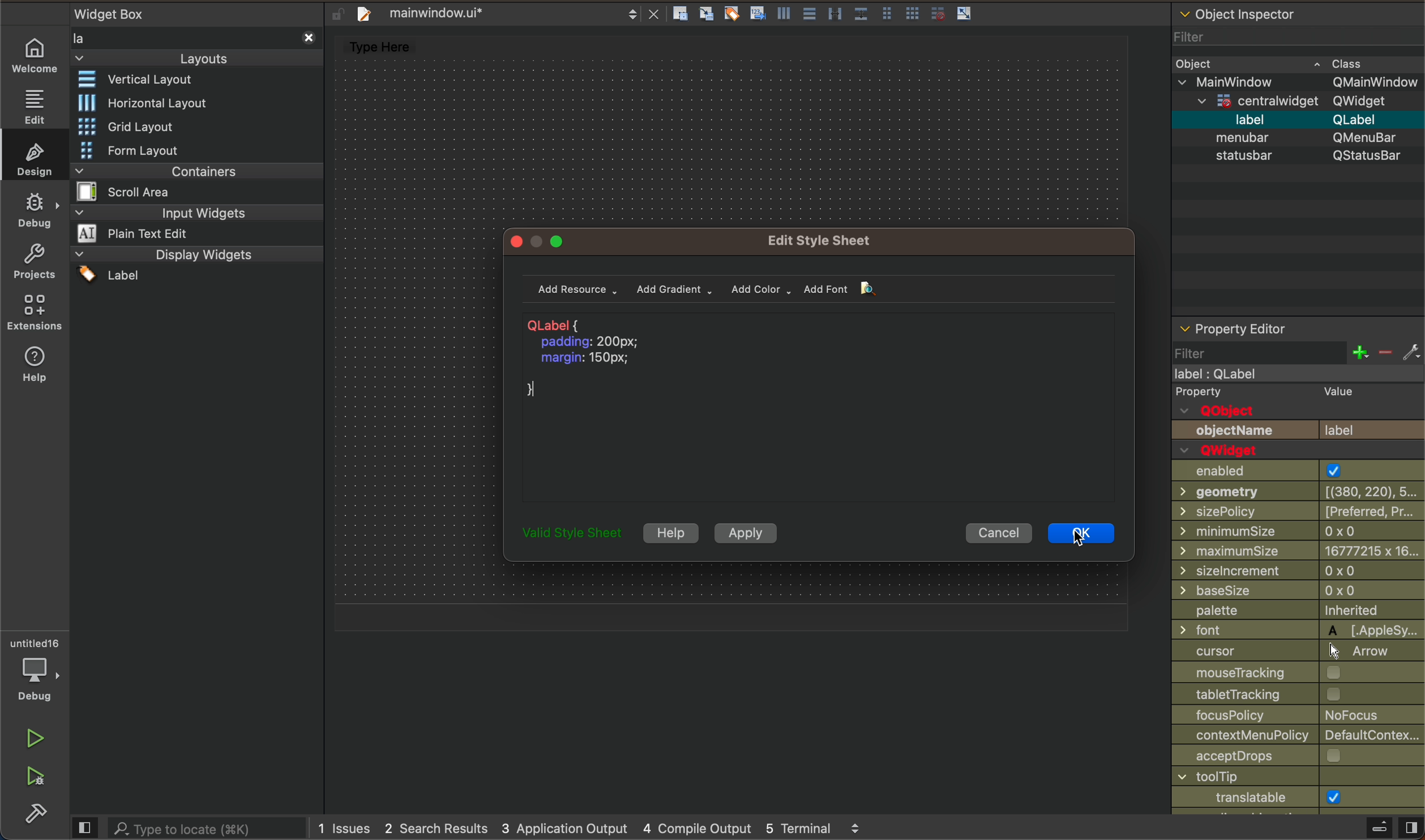  Describe the element at coordinates (752, 533) in the screenshot. I see `apply` at that location.